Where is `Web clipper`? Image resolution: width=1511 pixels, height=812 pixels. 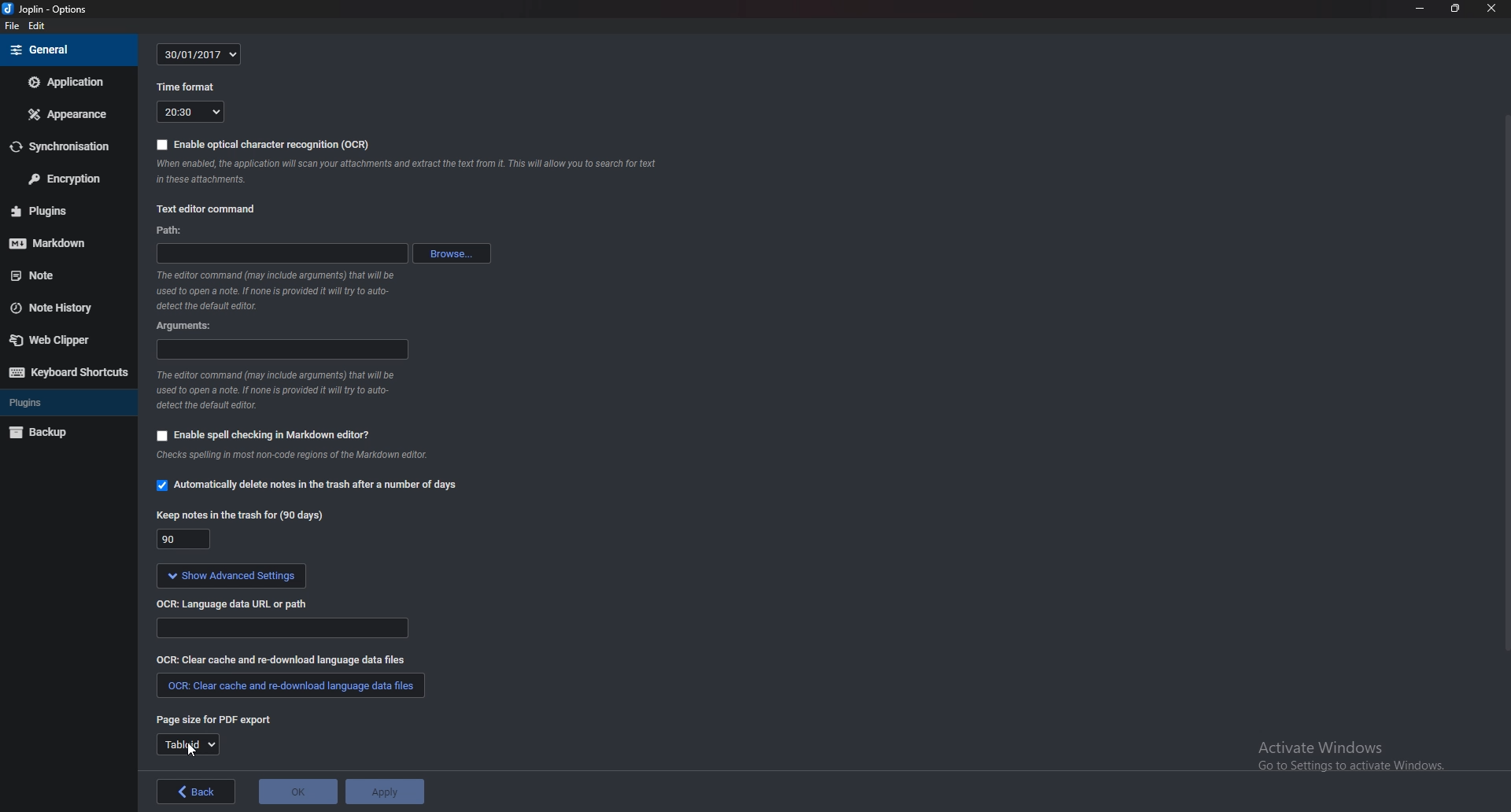
Web clipper is located at coordinates (65, 338).